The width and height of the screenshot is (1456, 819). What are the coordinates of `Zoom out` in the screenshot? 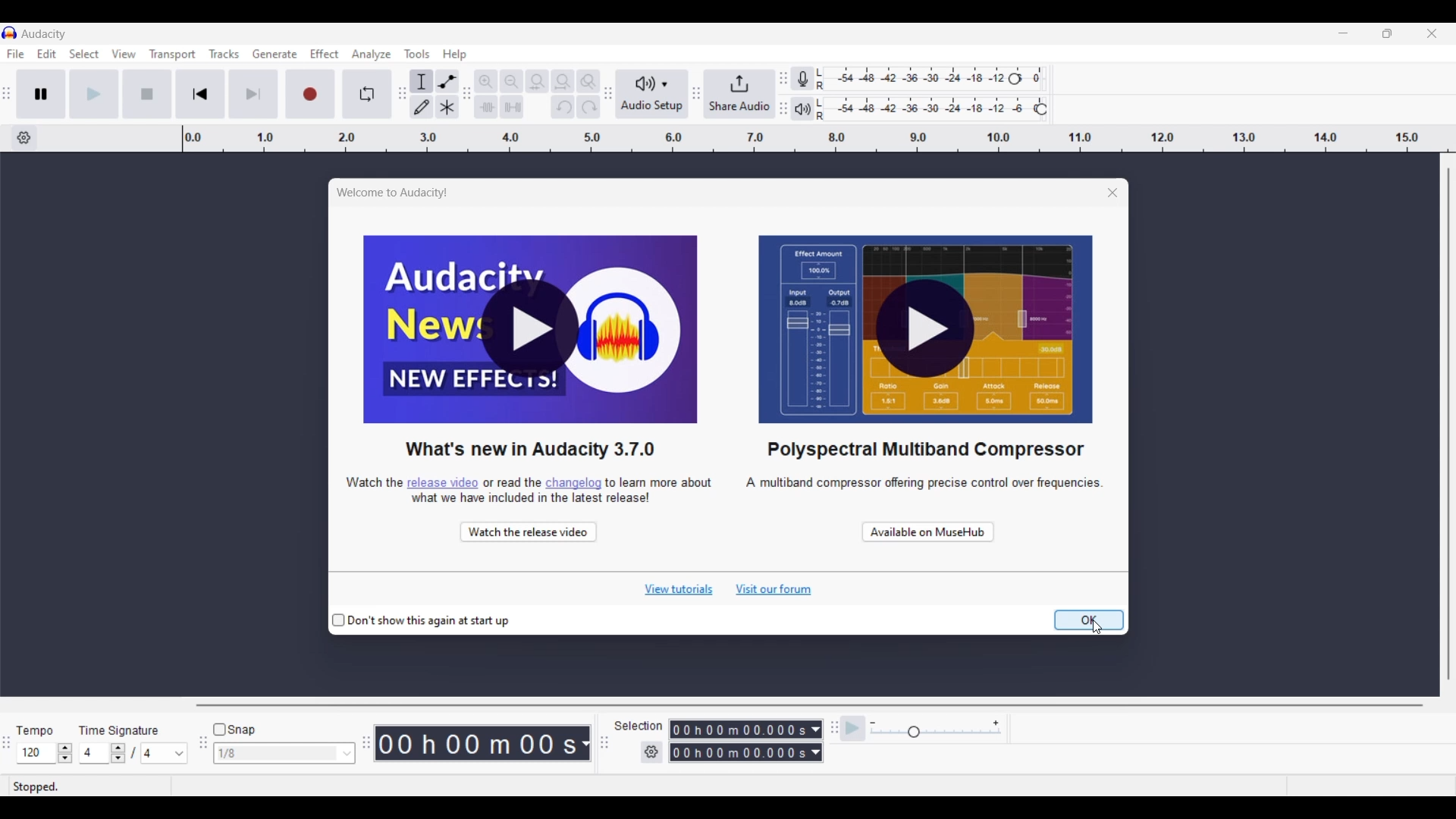 It's located at (511, 81).